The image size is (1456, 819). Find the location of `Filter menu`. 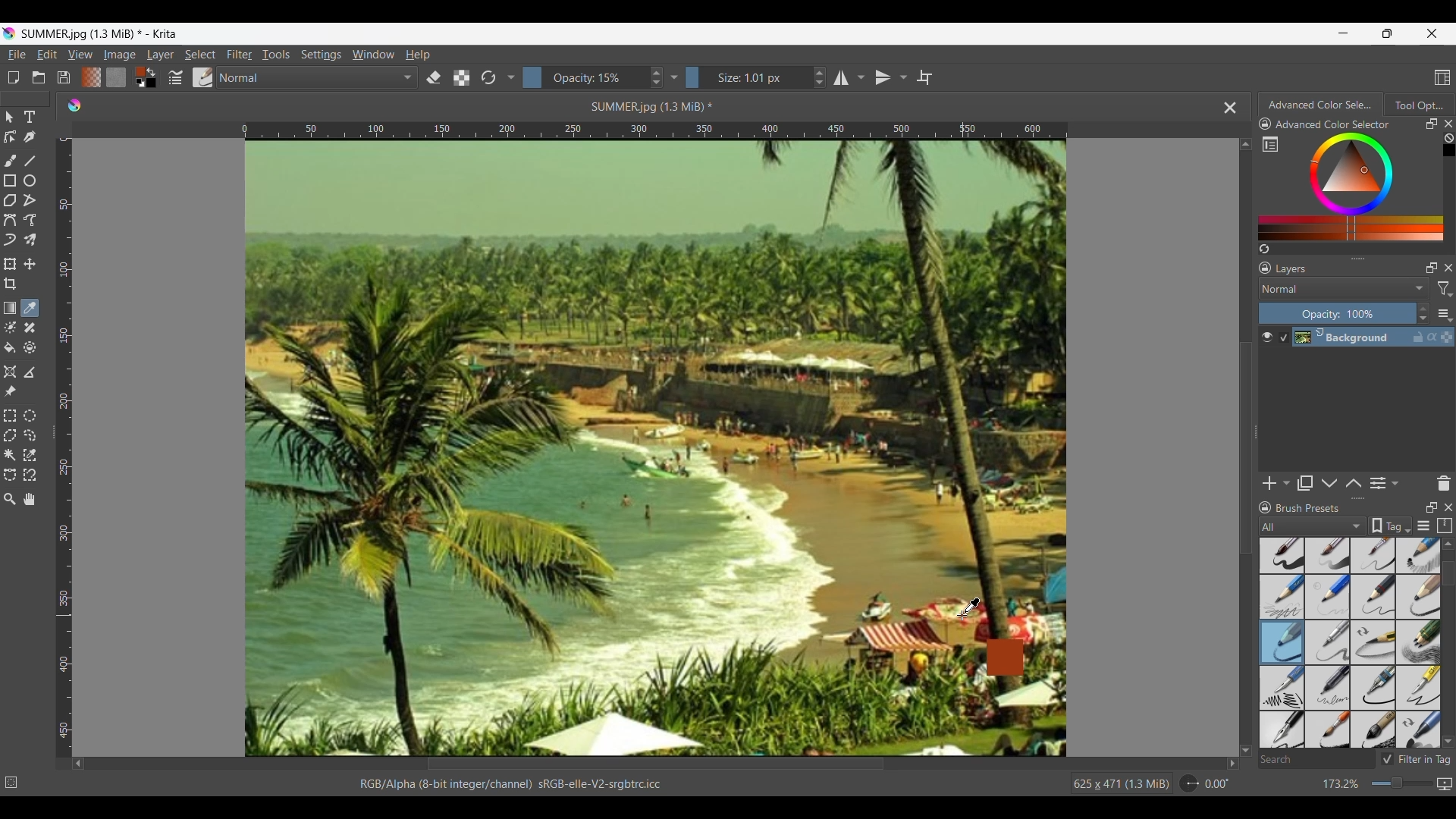

Filter menu is located at coordinates (240, 54).